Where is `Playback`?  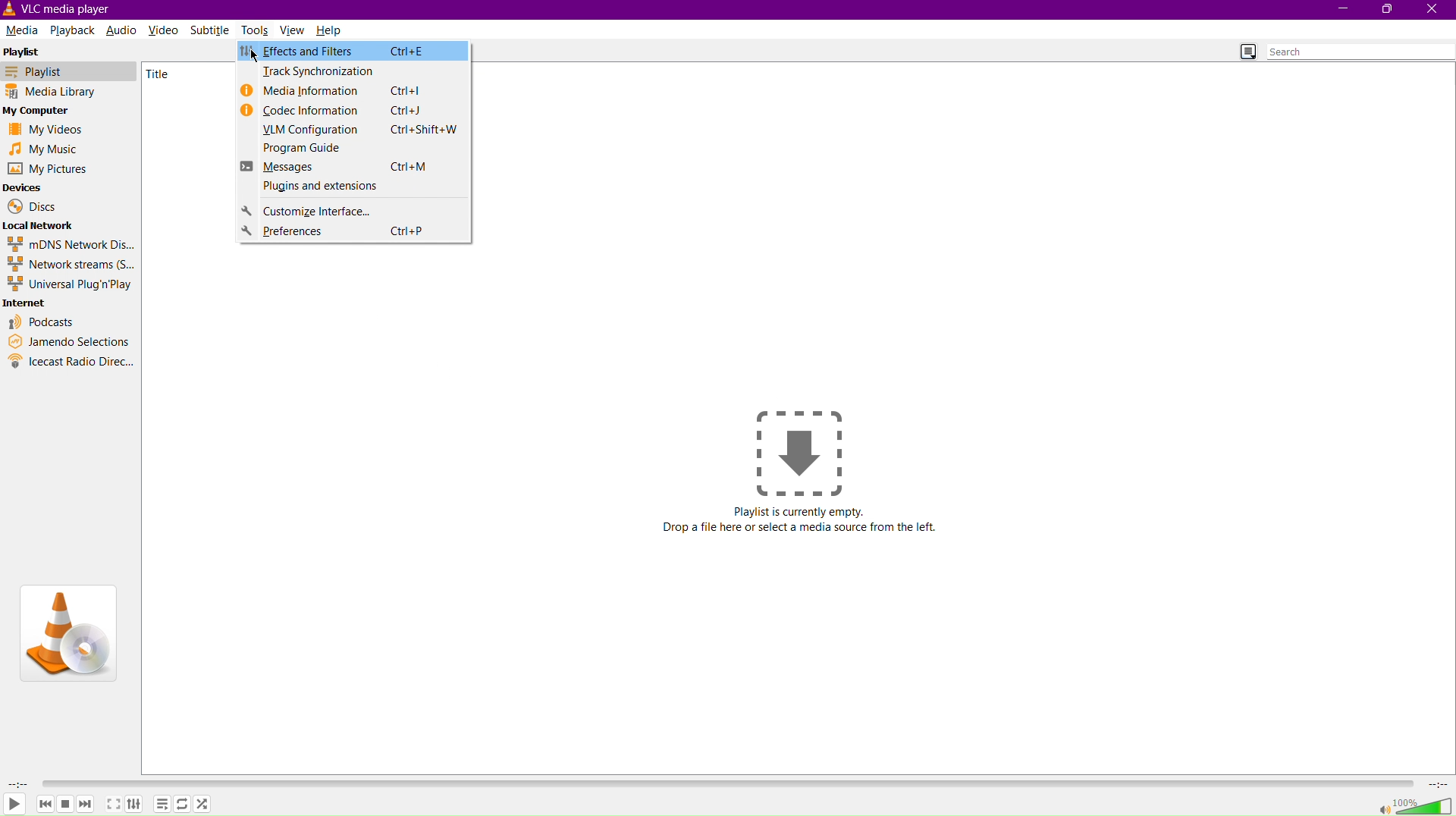 Playback is located at coordinates (71, 29).